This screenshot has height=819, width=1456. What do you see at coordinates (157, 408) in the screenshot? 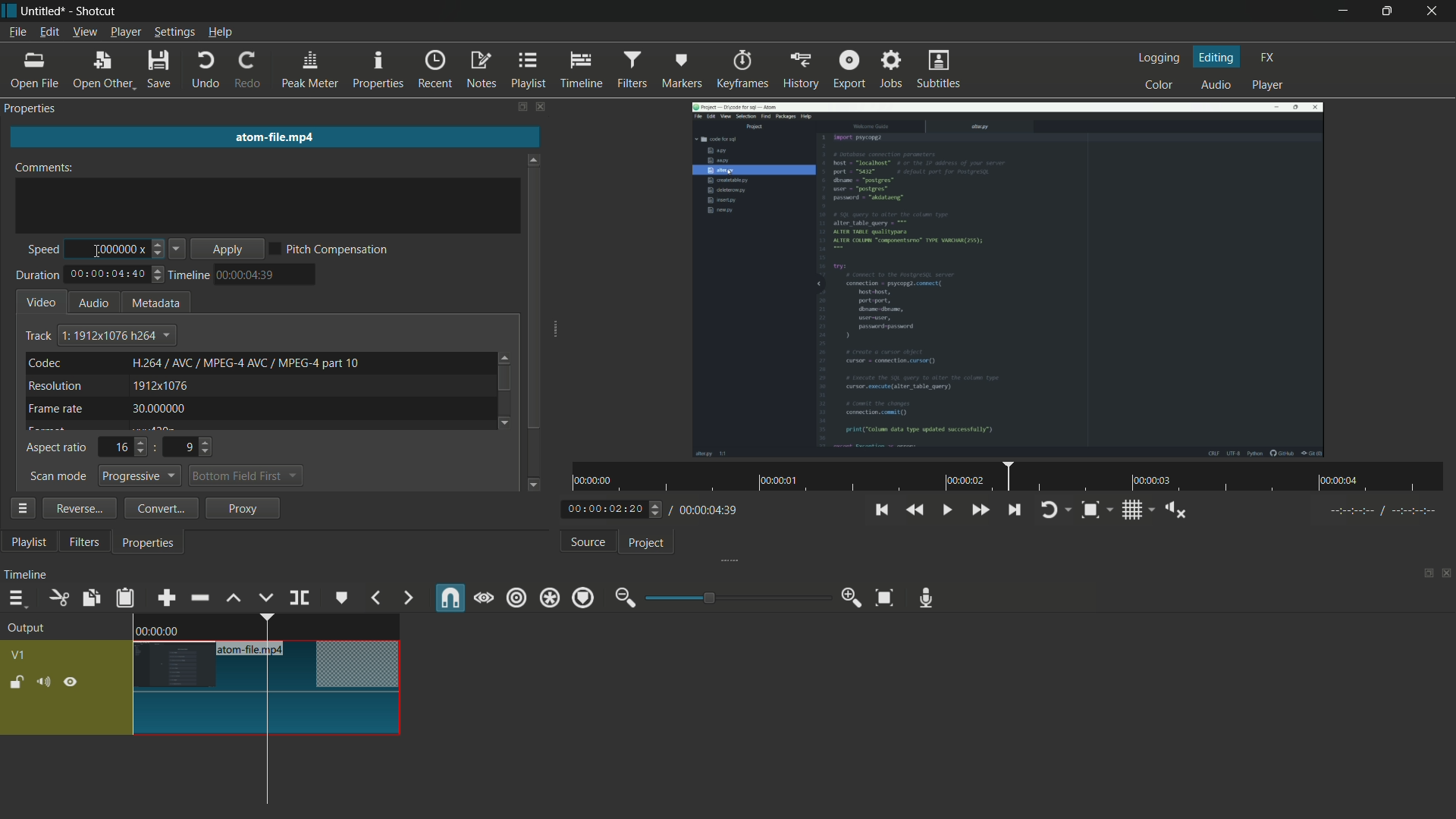
I see `30` at bounding box center [157, 408].